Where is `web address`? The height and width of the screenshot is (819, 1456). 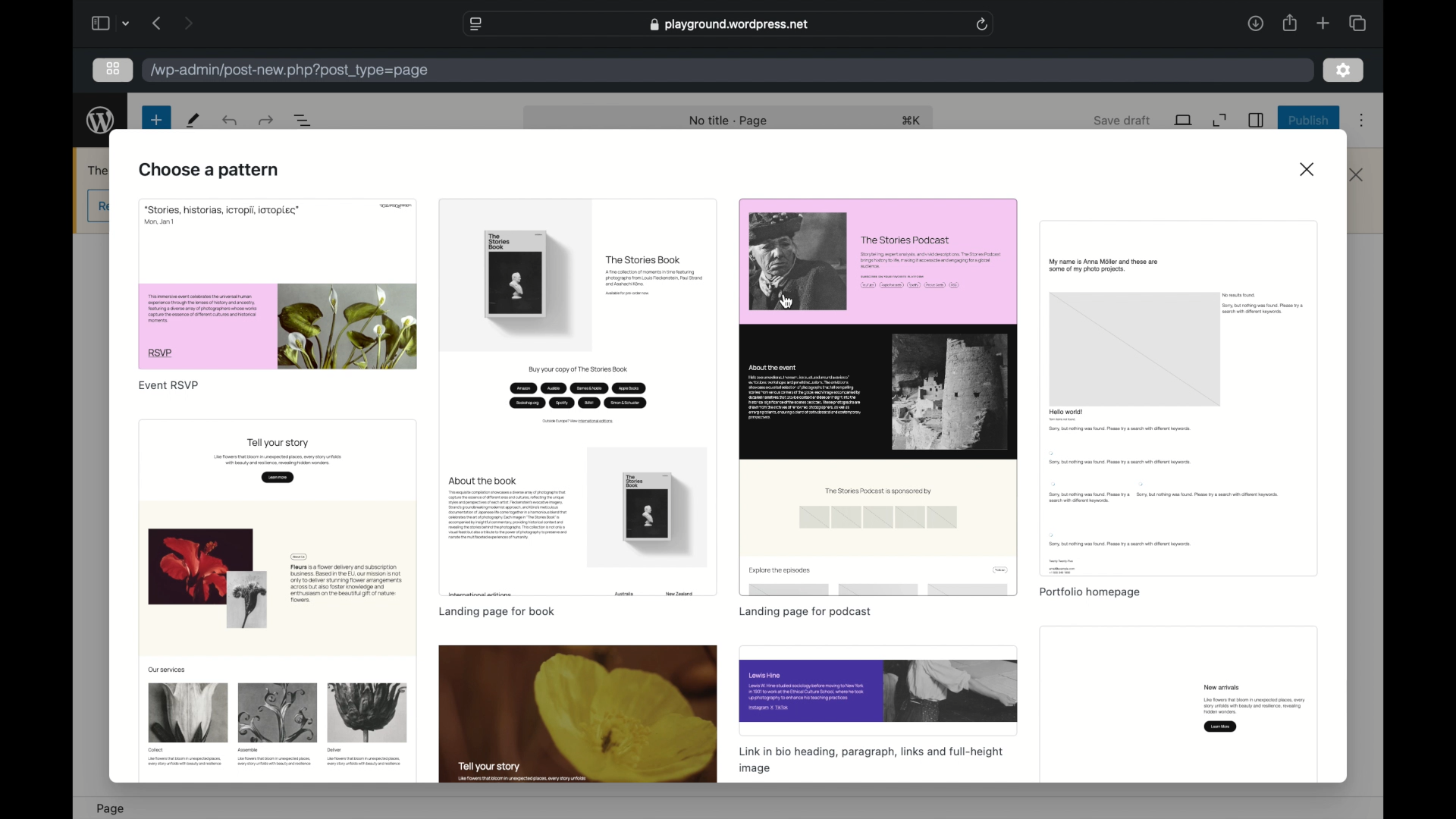
web address is located at coordinates (729, 24).